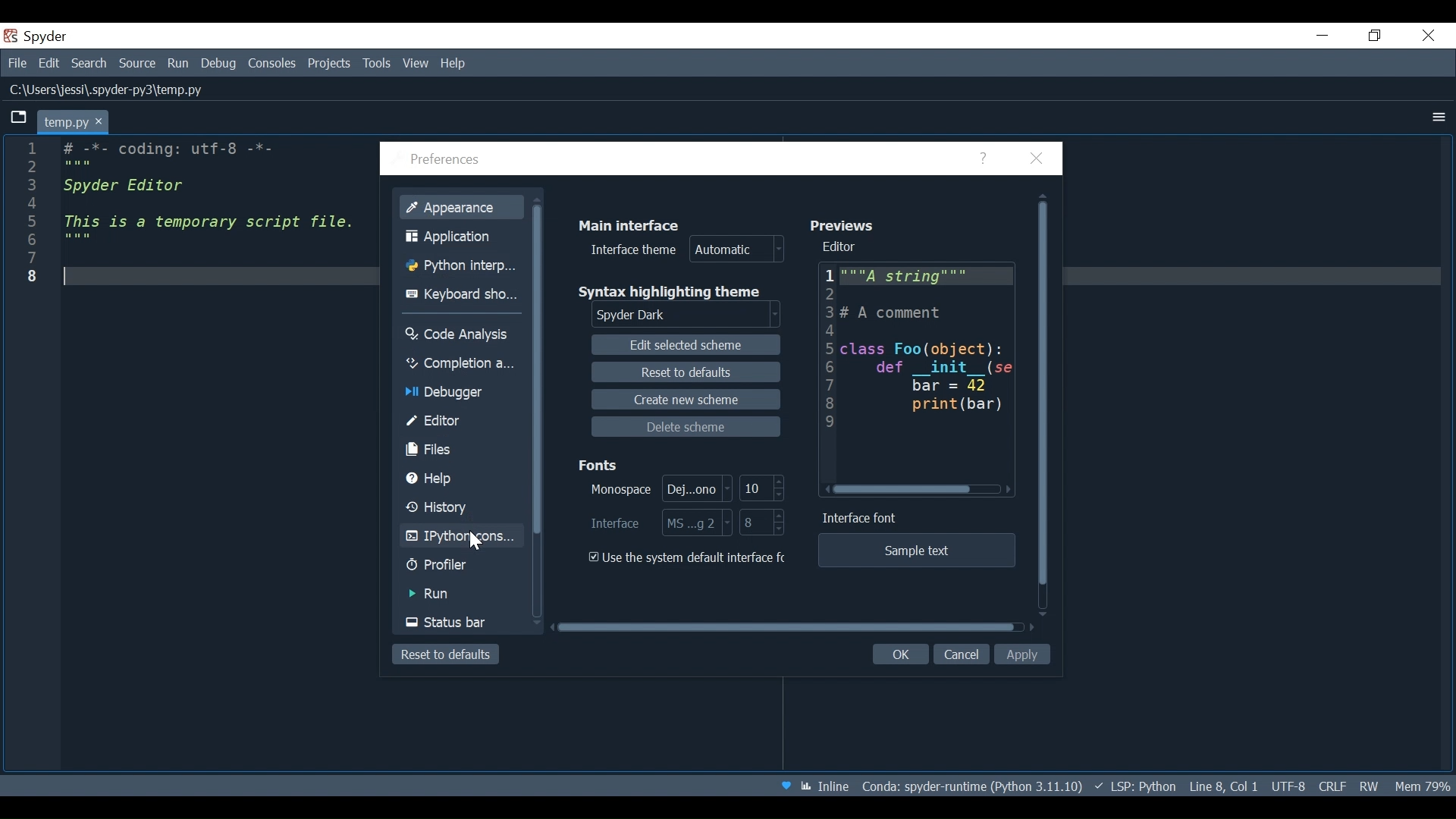 Image resolution: width=1456 pixels, height=819 pixels. I want to click on Application, so click(460, 237).